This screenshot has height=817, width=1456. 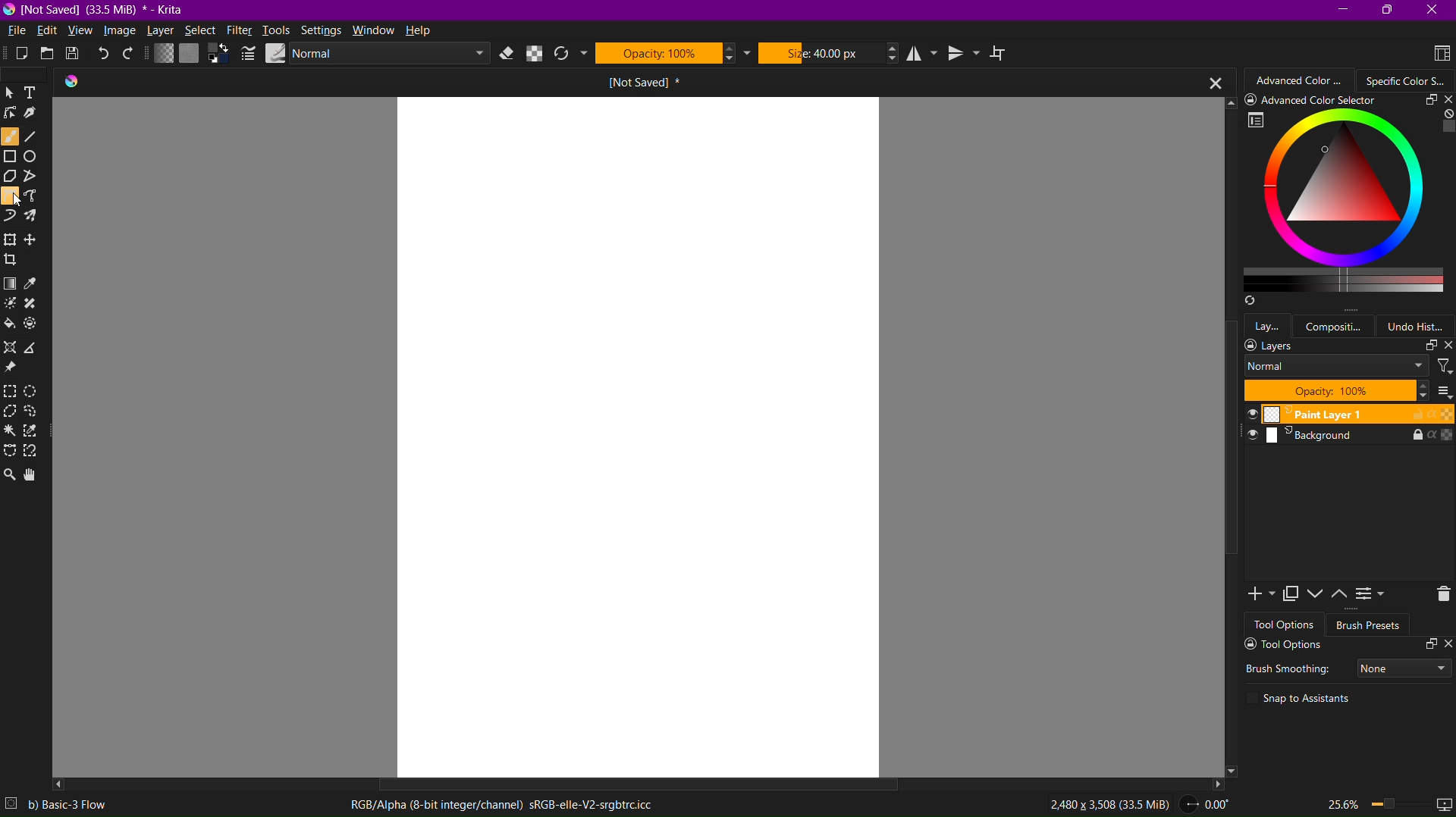 I want to click on Layer Mode, so click(x=1336, y=367).